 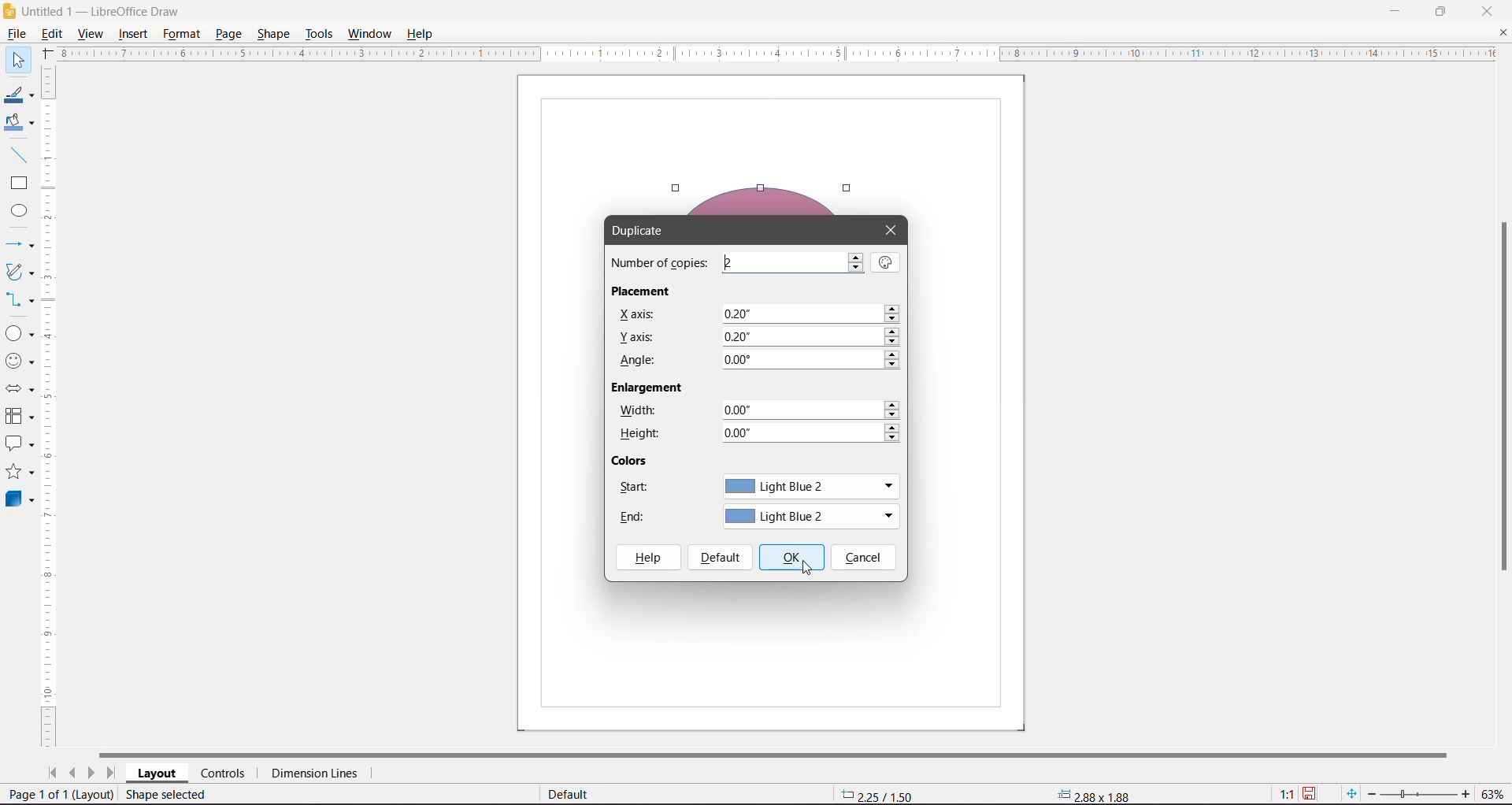 I want to click on Format, so click(x=181, y=34).